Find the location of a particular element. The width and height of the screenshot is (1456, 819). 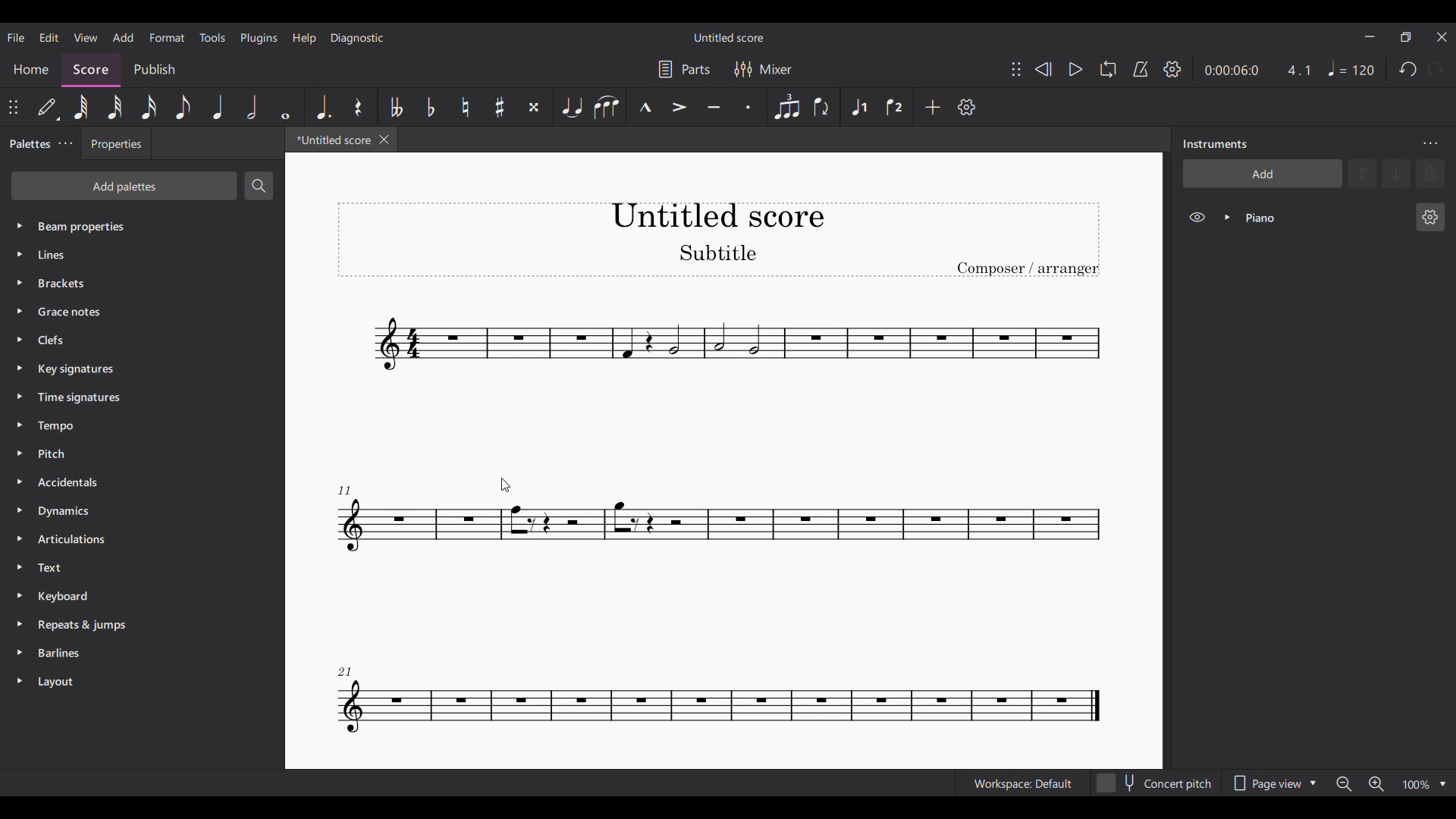

Dynamics is located at coordinates (127, 513).